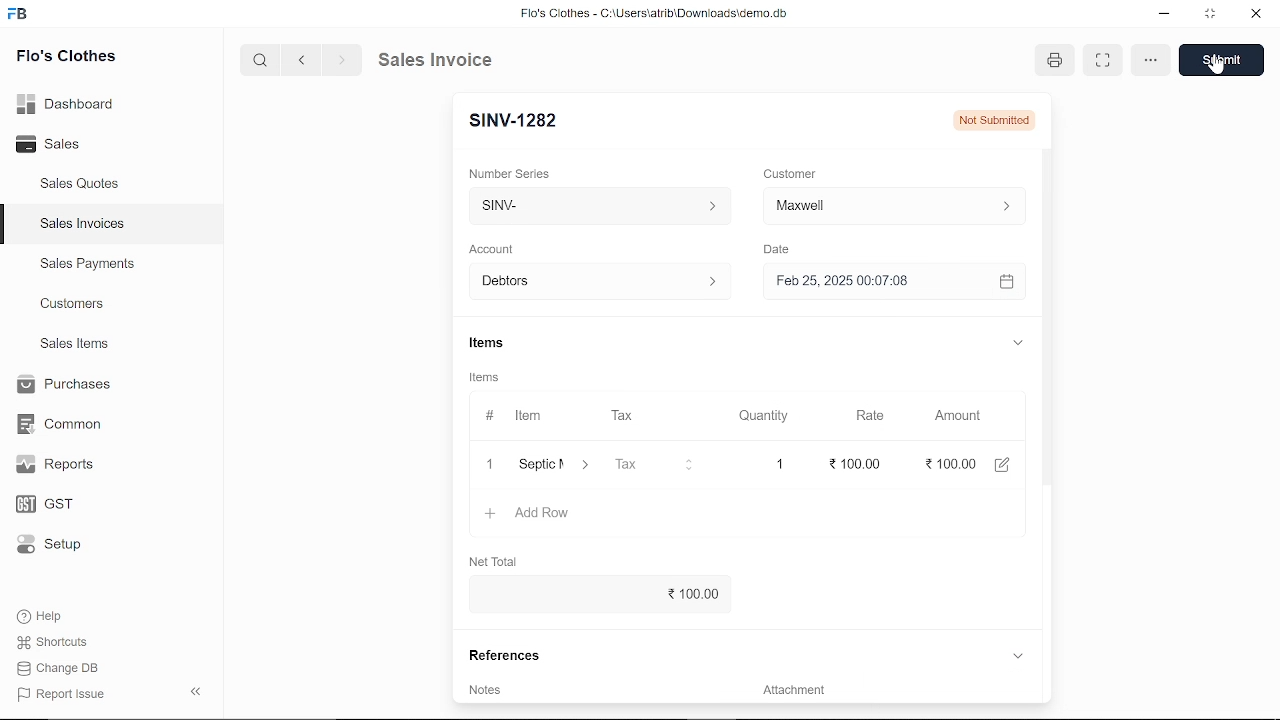  I want to click on cursor, so click(1216, 65).